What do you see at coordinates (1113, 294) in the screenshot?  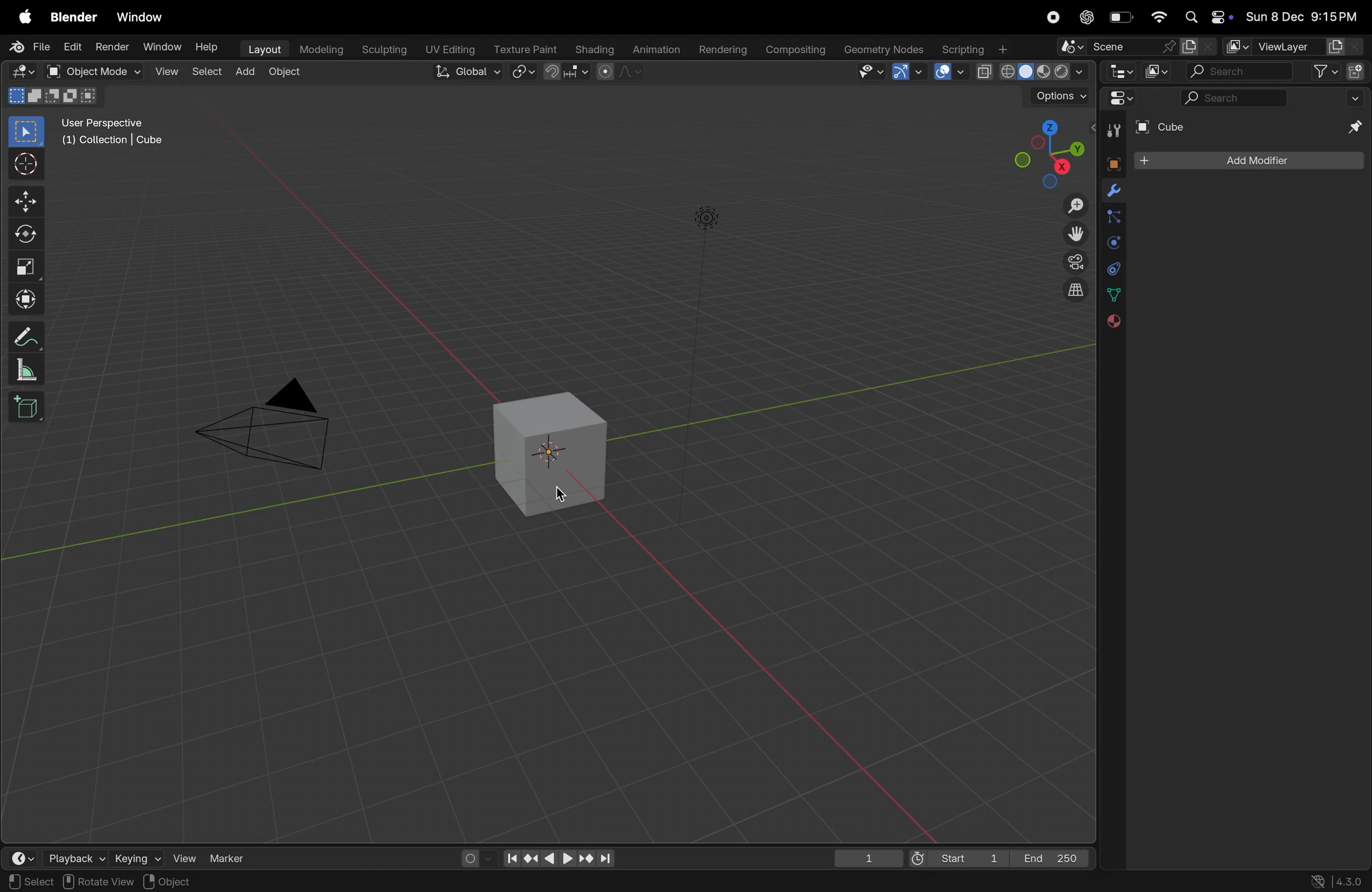 I see `data` at bounding box center [1113, 294].